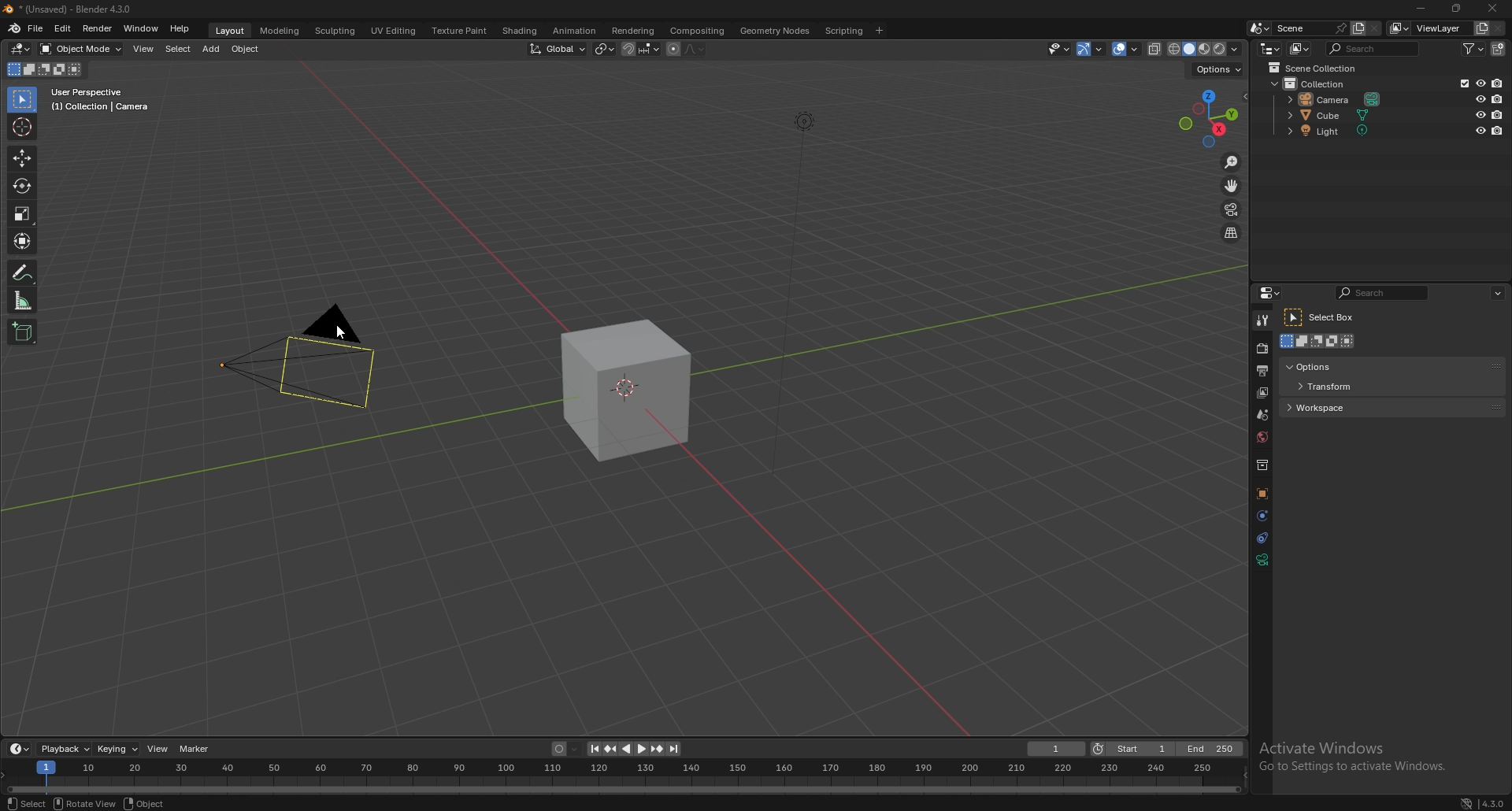  Describe the element at coordinates (1496, 132) in the screenshot. I see `disable in renders` at that location.